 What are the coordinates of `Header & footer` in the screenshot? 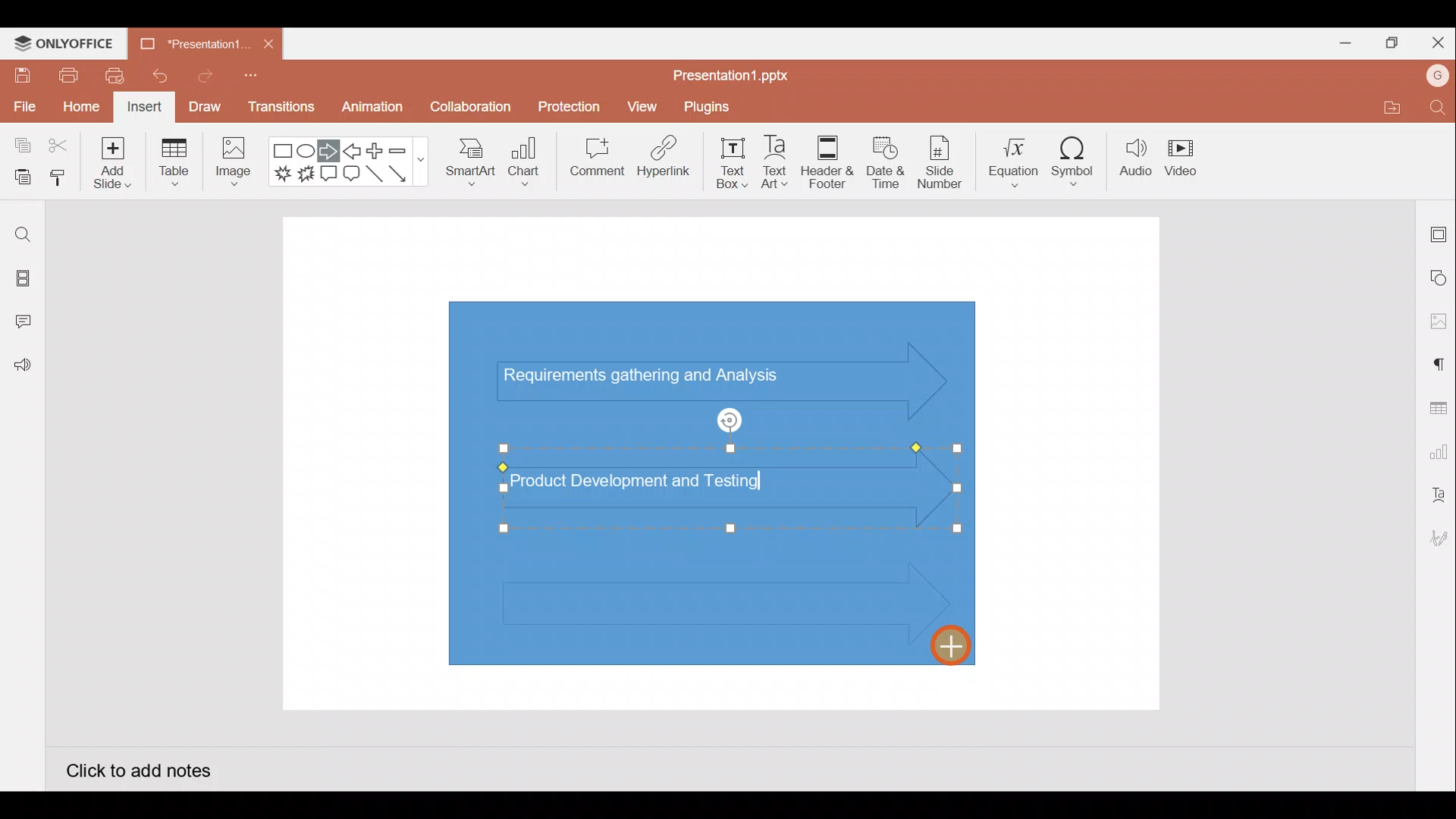 It's located at (828, 158).